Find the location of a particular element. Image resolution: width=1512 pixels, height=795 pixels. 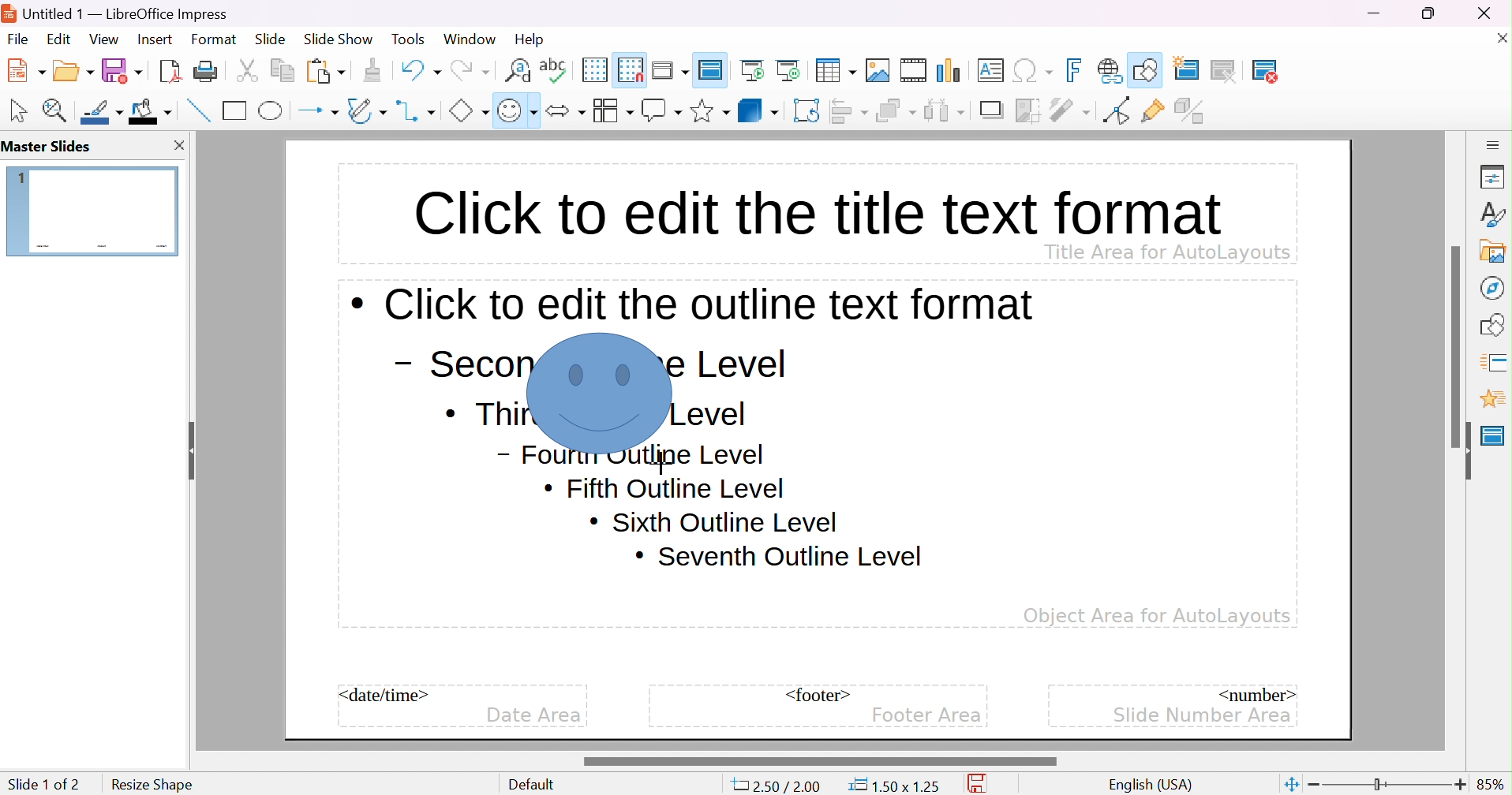

toggle extrusion is located at coordinates (1192, 110).